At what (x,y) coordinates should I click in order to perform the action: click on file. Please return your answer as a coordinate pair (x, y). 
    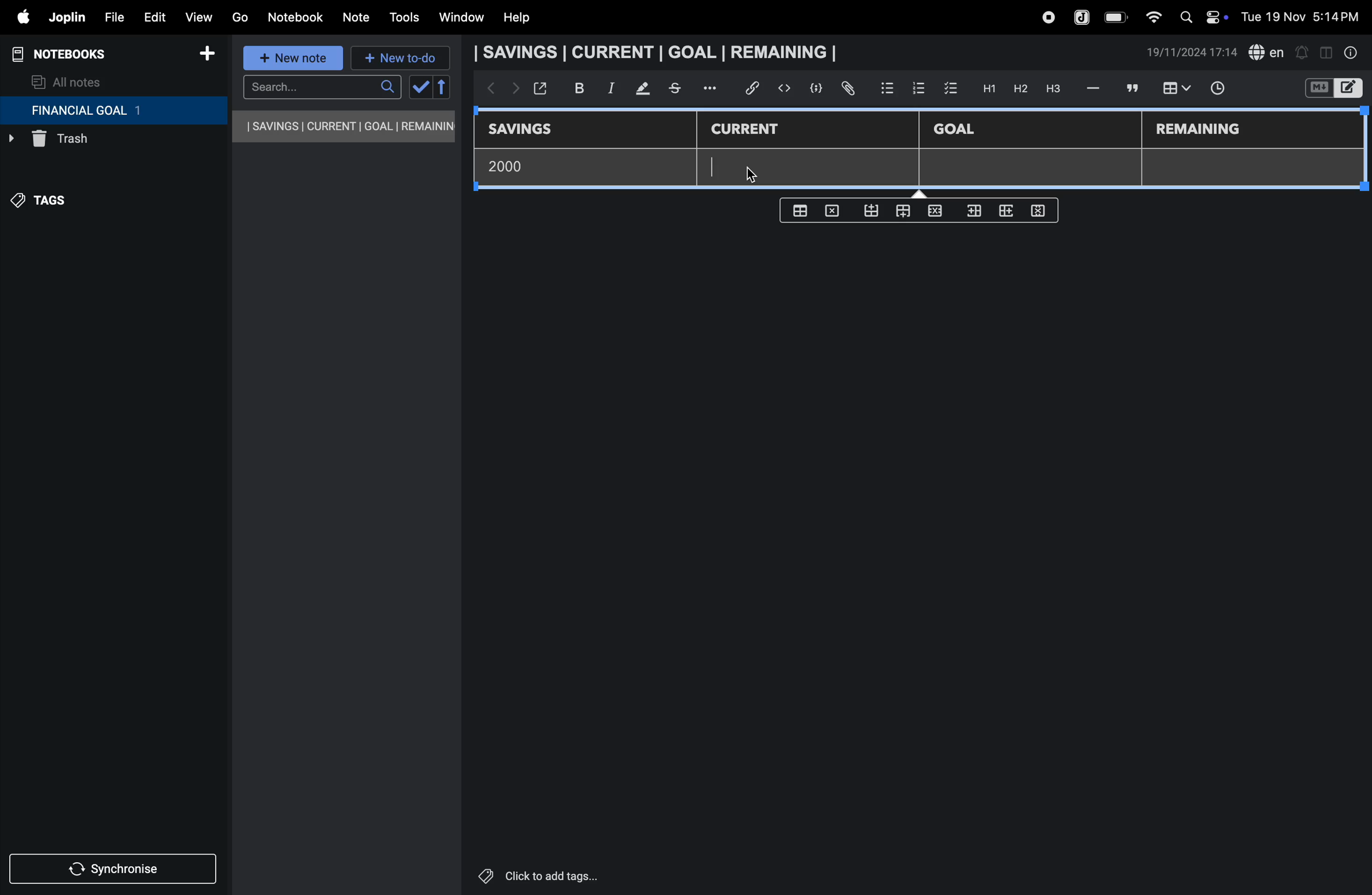
    Looking at the image, I should click on (110, 16).